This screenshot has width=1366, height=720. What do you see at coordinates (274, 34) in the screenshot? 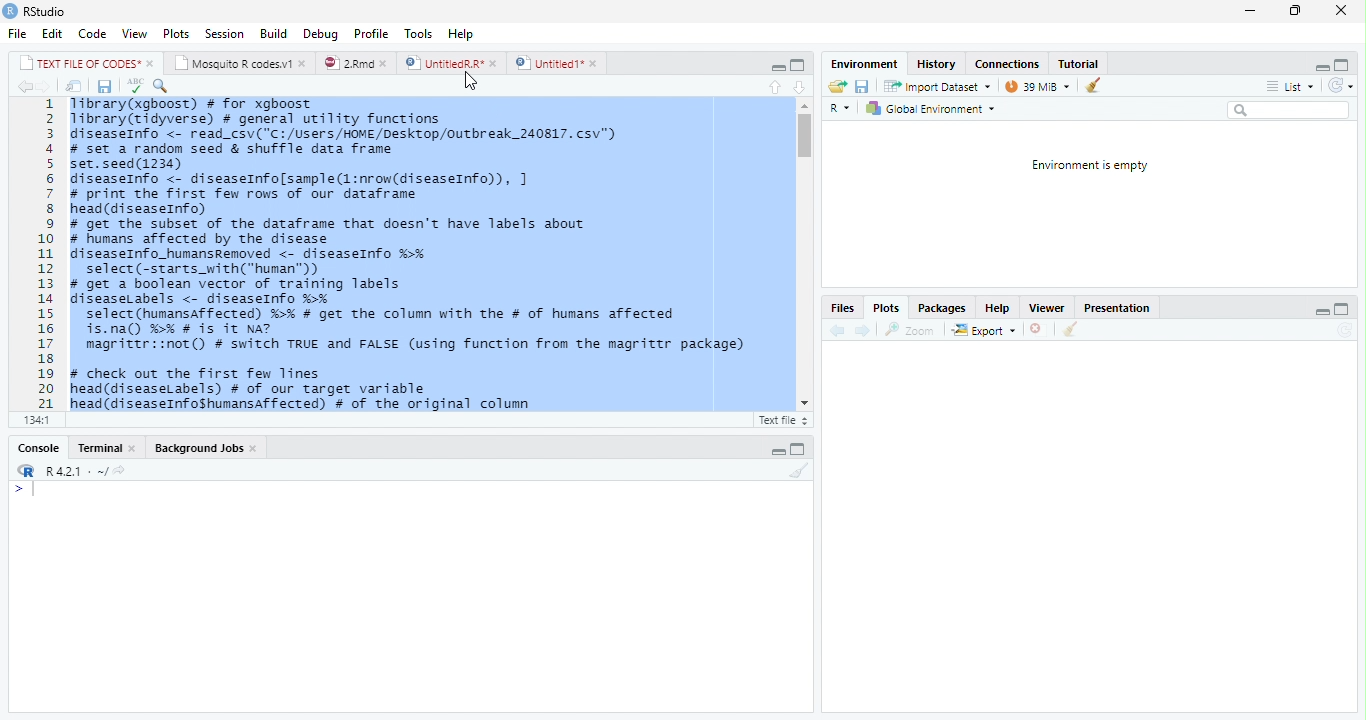
I see `Build` at bounding box center [274, 34].